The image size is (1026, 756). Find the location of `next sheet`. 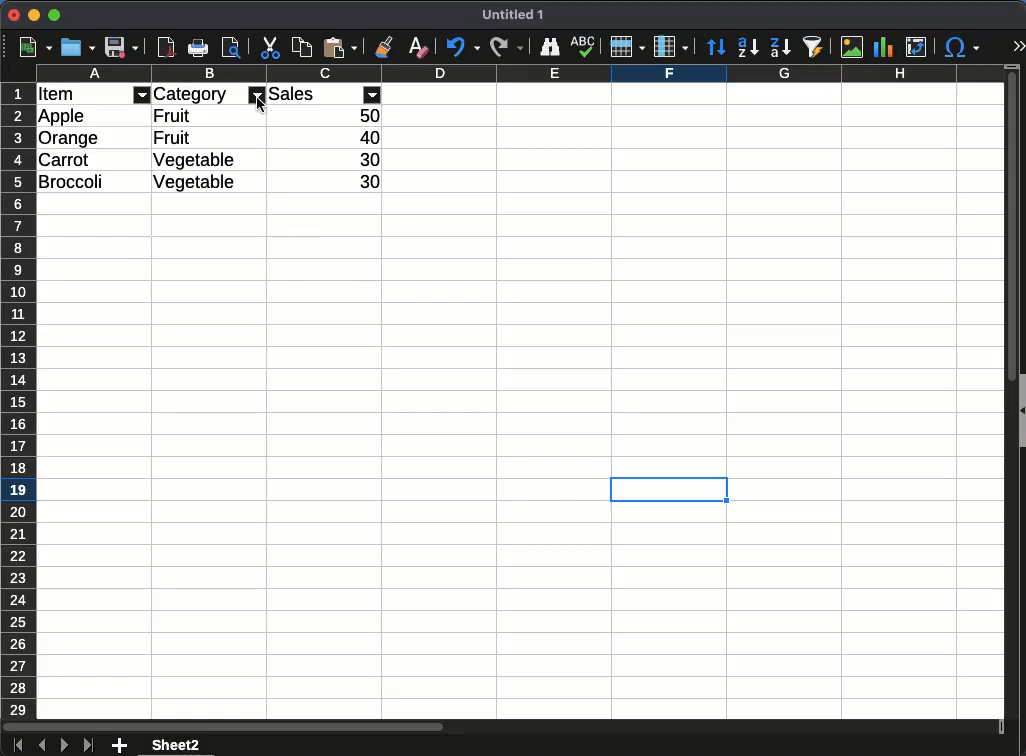

next sheet is located at coordinates (64, 746).